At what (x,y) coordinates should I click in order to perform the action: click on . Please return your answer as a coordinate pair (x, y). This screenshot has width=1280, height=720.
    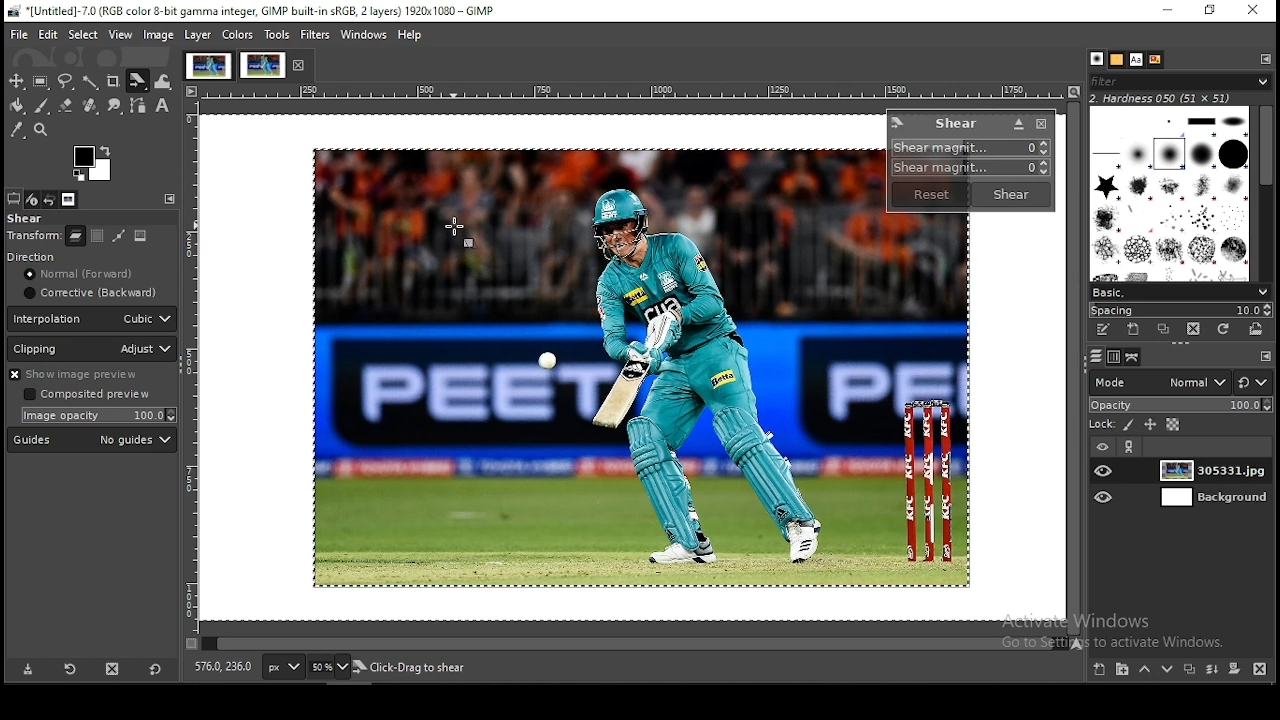
    Looking at the image, I should click on (1018, 124).